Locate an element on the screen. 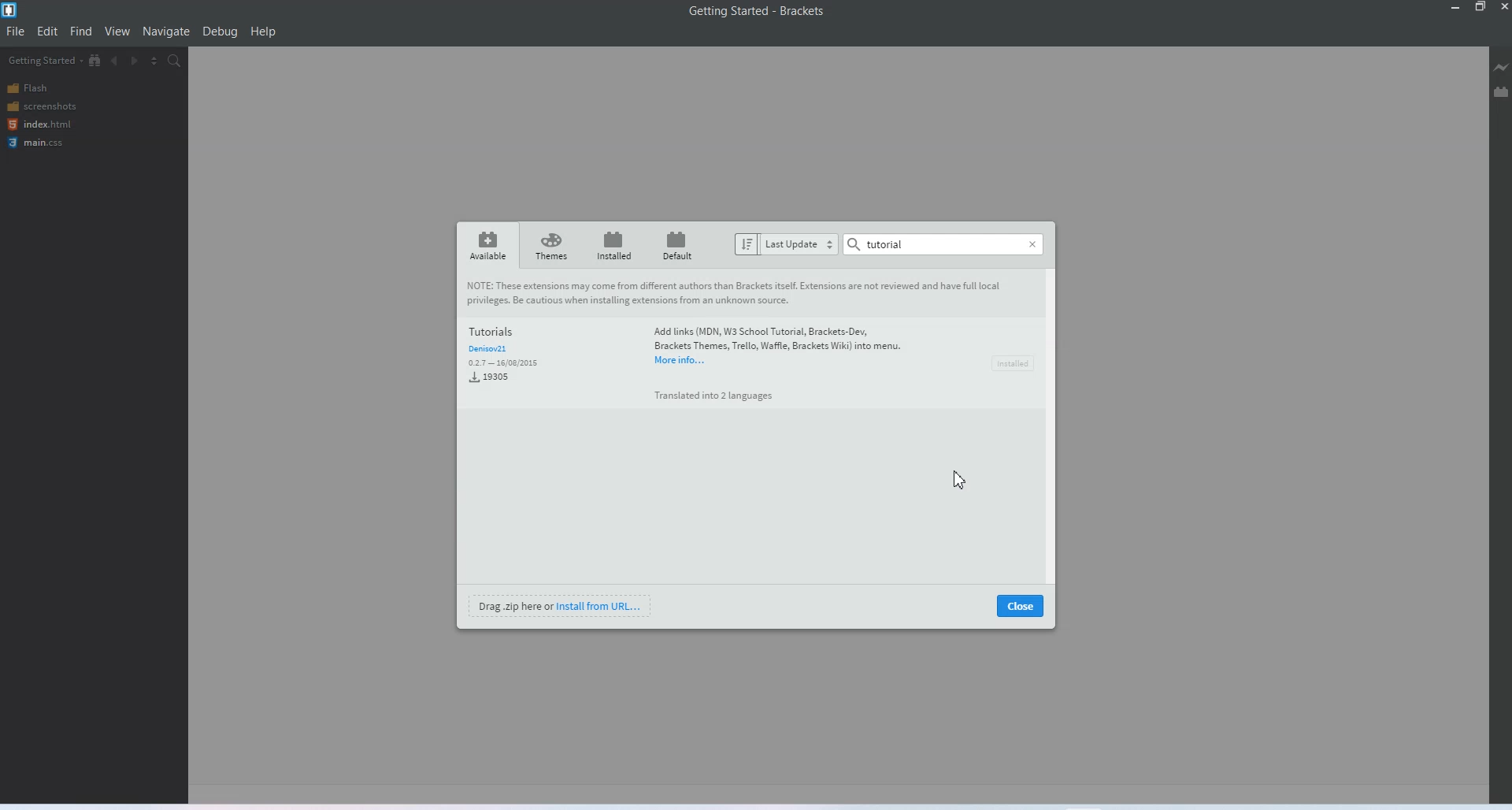 Image resolution: width=1512 pixels, height=810 pixels. View is located at coordinates (118, 32).